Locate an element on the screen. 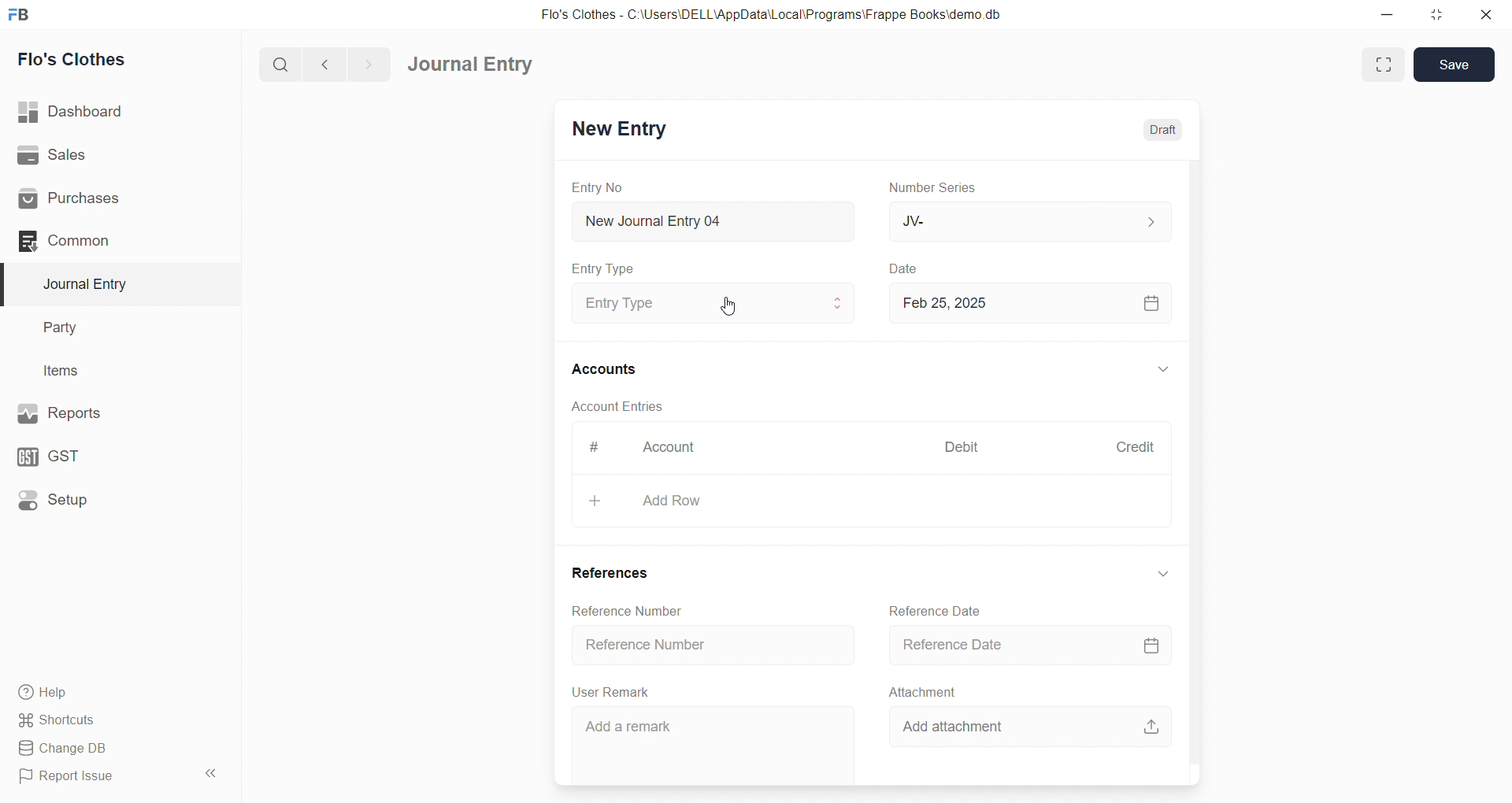  Reports is located at coordinates (110, 412).